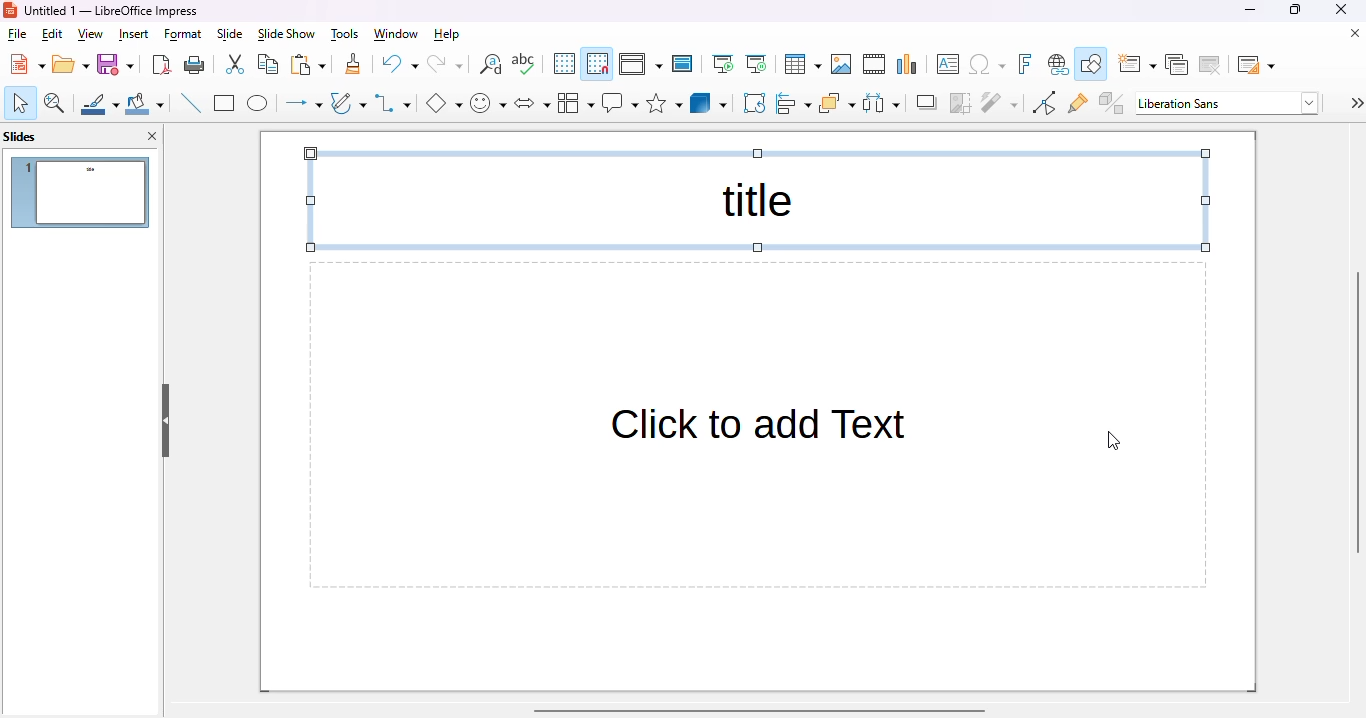 The height and width of the screenshot is (718, 1366). What do you see at coordinates (759, 201) in the screenshot?
I see `title` at bounding box center [759, 201].